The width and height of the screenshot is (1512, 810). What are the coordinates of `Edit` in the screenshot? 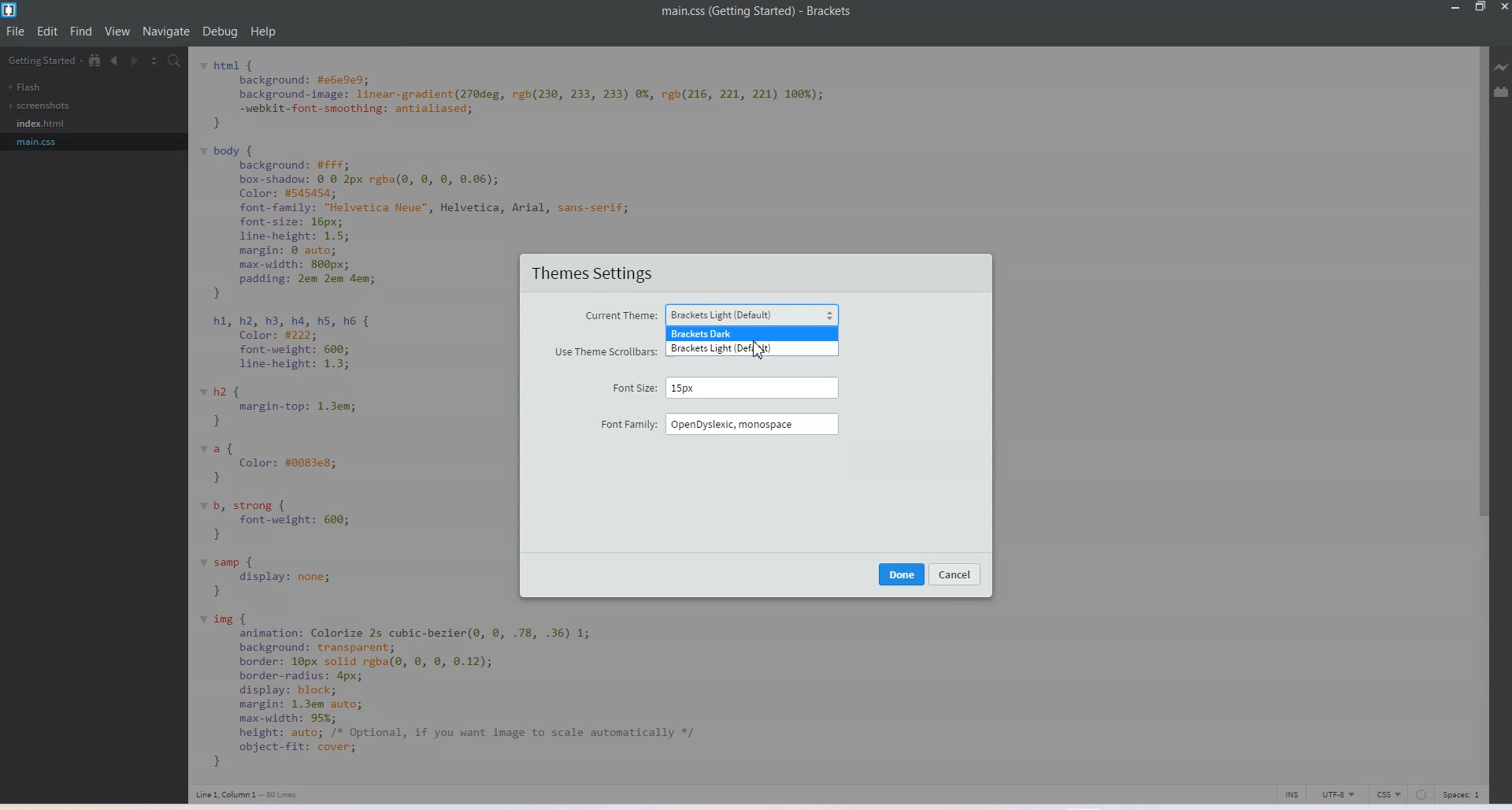 It's located at (49, 31).